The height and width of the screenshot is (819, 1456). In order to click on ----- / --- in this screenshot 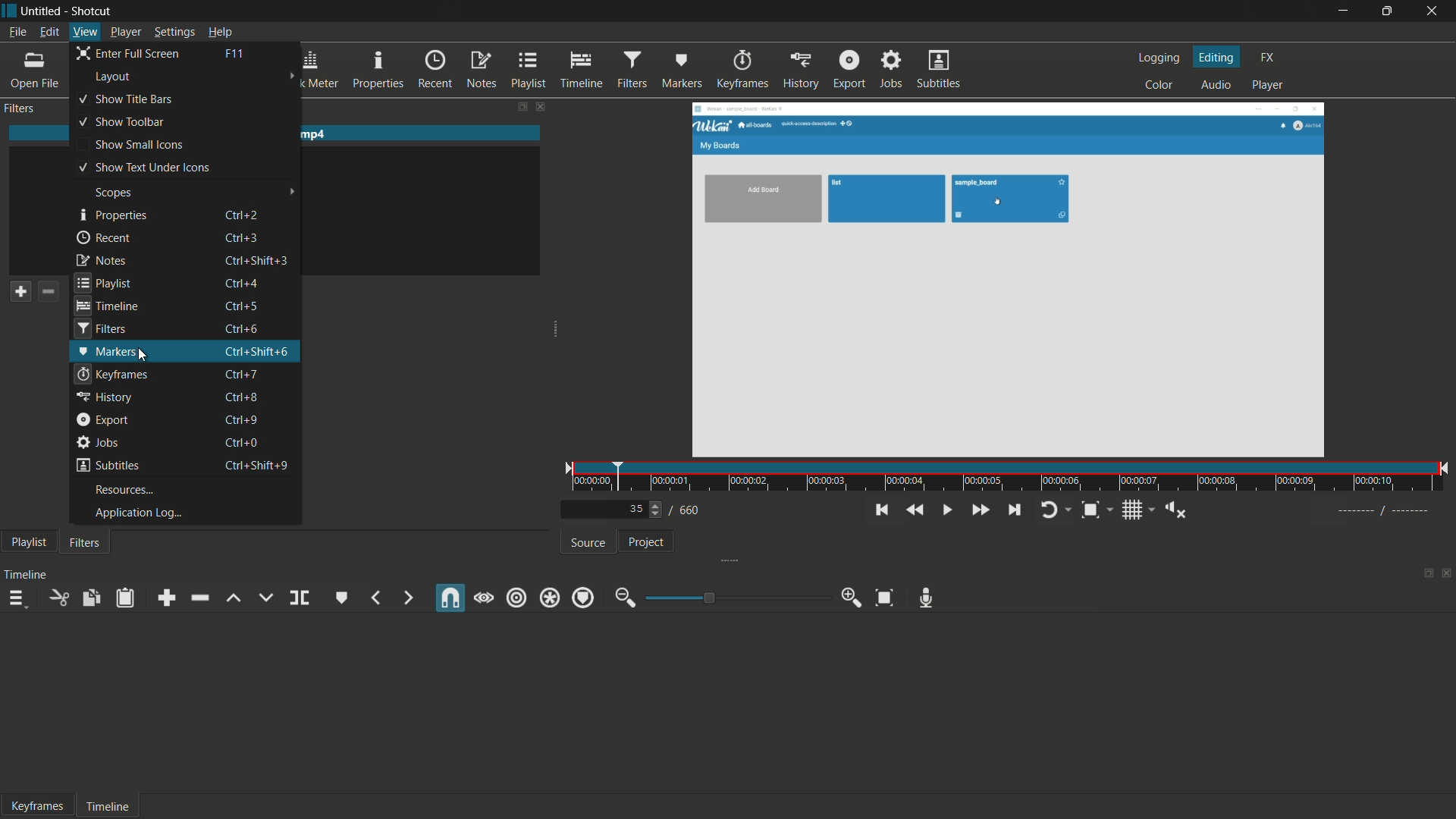, I will do `click(1382, 511)`.